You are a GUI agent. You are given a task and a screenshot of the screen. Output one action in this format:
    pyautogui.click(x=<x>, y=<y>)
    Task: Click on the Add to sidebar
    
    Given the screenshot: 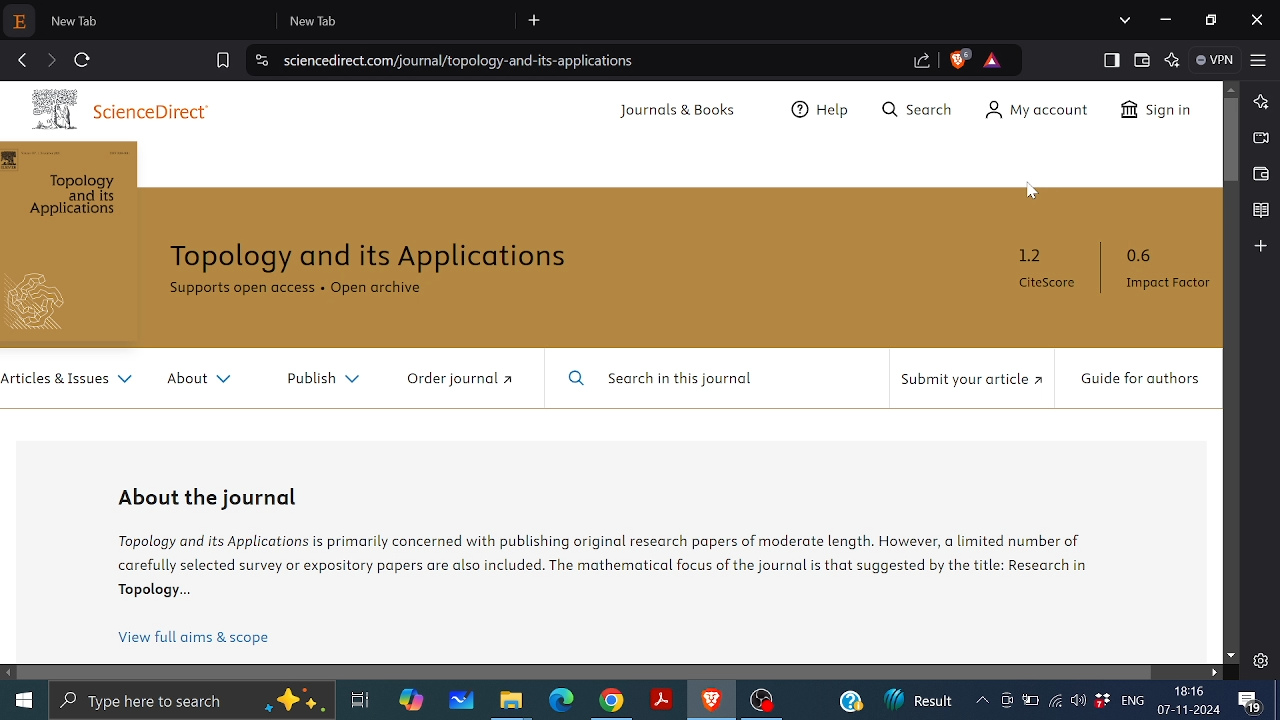 What is the action you would take?
    pyautogui.click(x=1262, y=281)
    